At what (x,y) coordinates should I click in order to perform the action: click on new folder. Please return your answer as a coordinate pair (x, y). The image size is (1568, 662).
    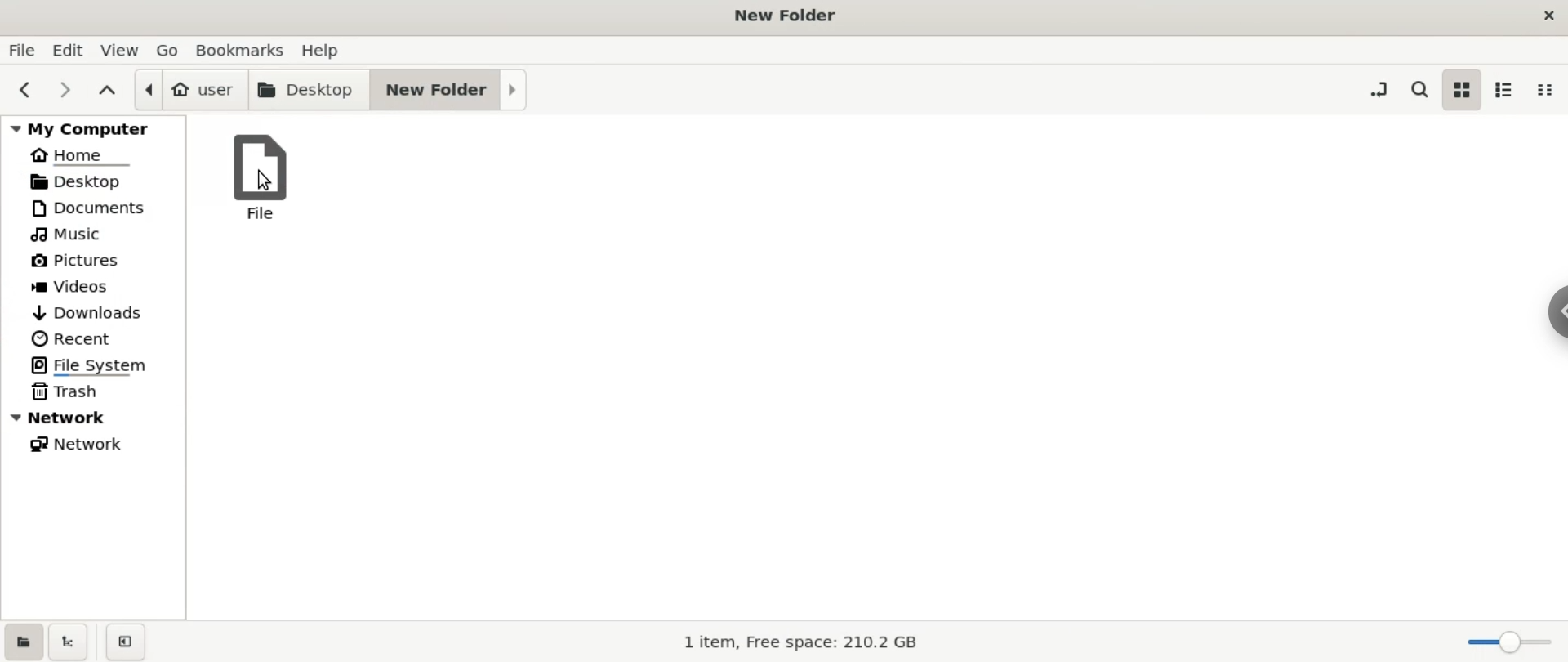
    Looking at the image, I should click on (450, 91).